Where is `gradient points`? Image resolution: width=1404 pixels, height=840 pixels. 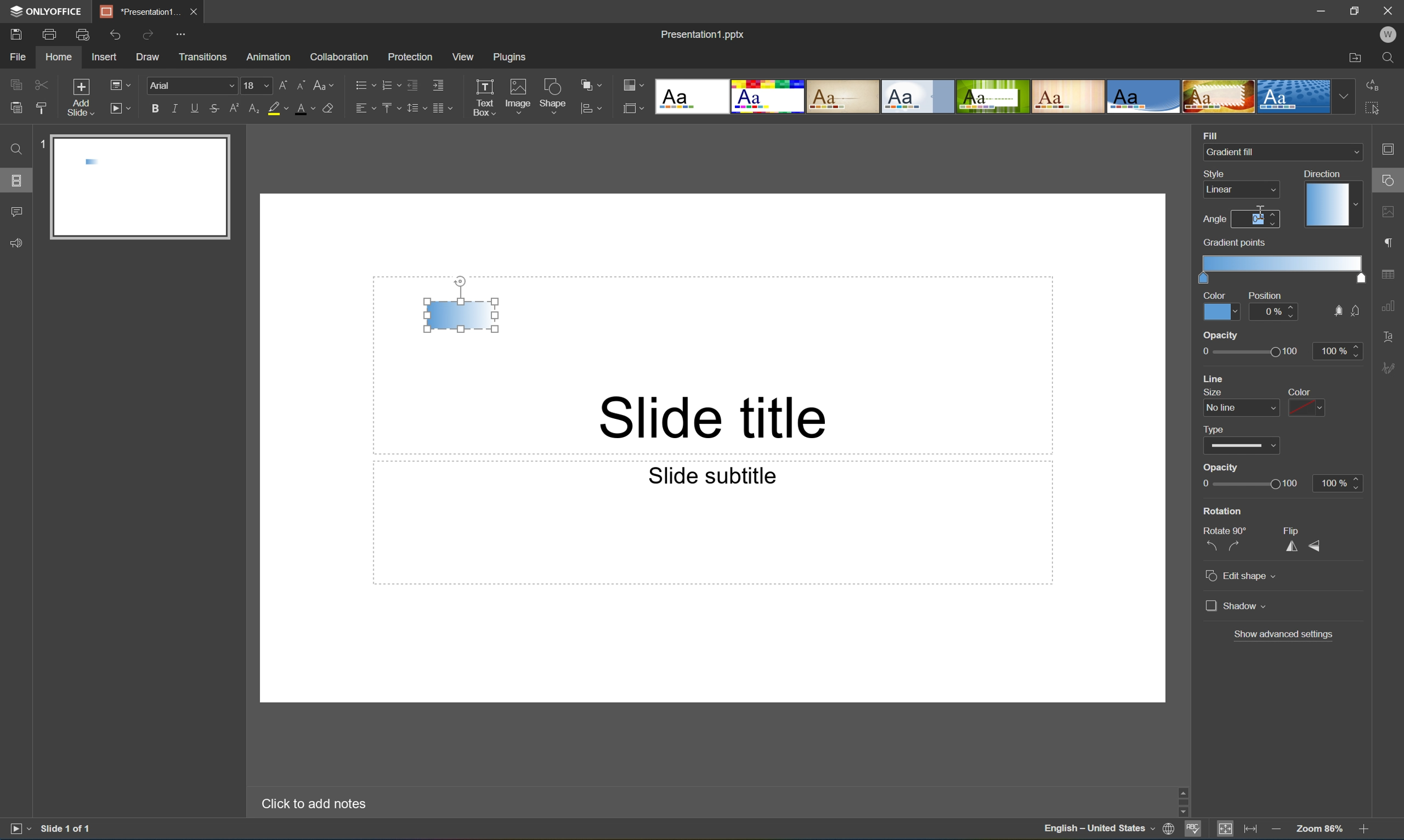 gradient points is located at coordinates (1236, 243).